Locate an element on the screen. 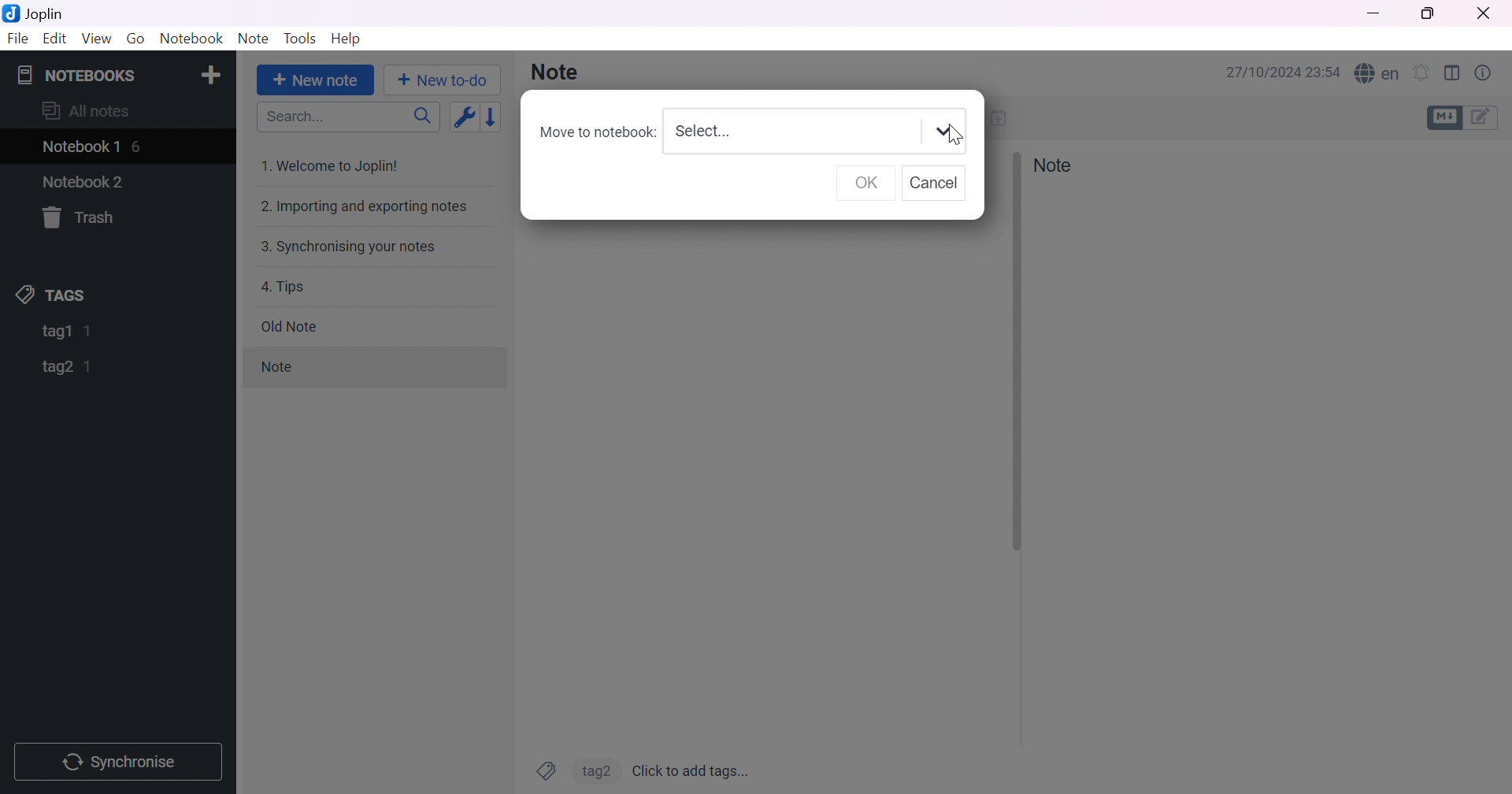  OK is located at coordinates (868, 185).